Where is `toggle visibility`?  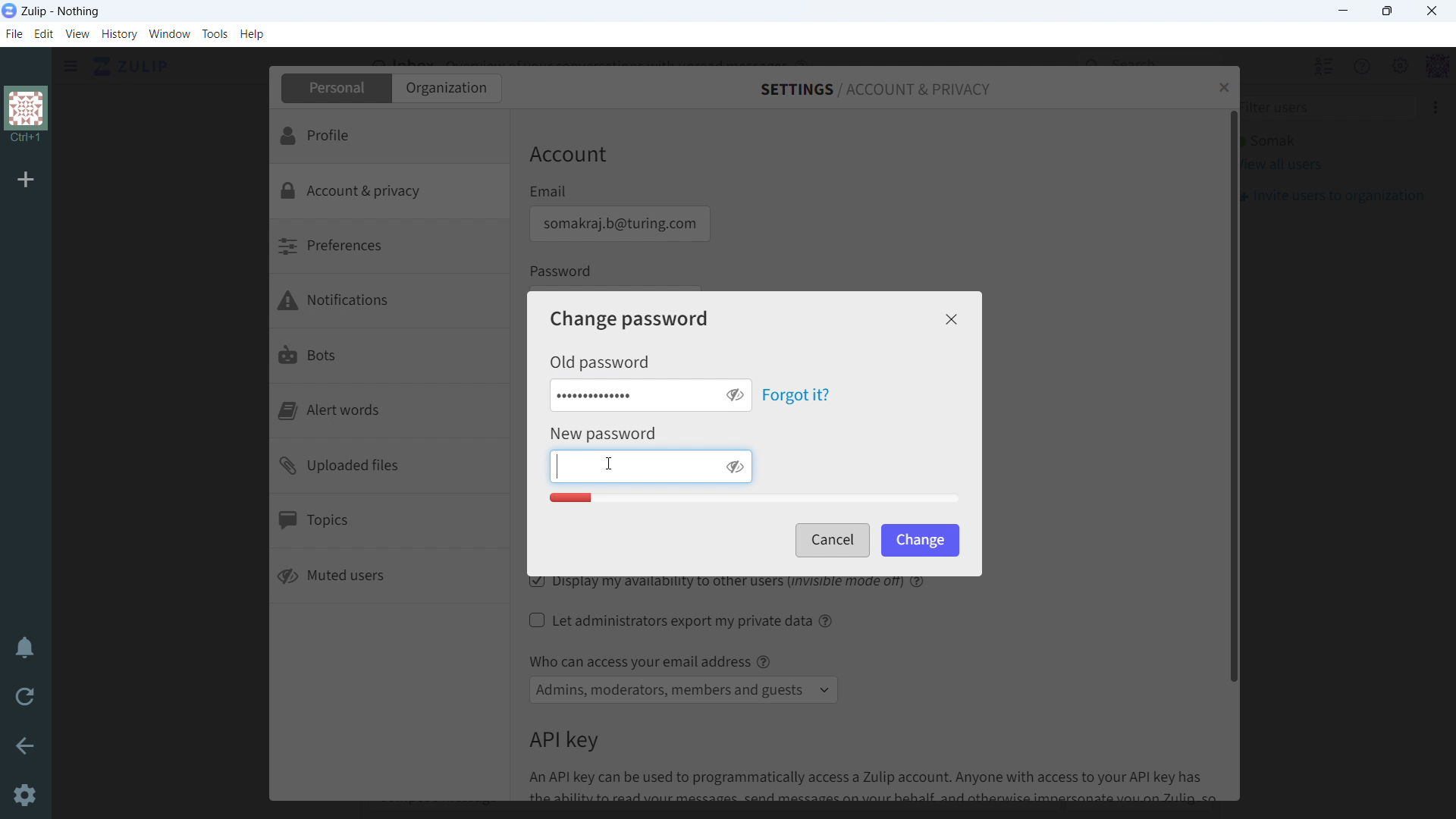
toggle visibility is located at coordinates (733, 395).